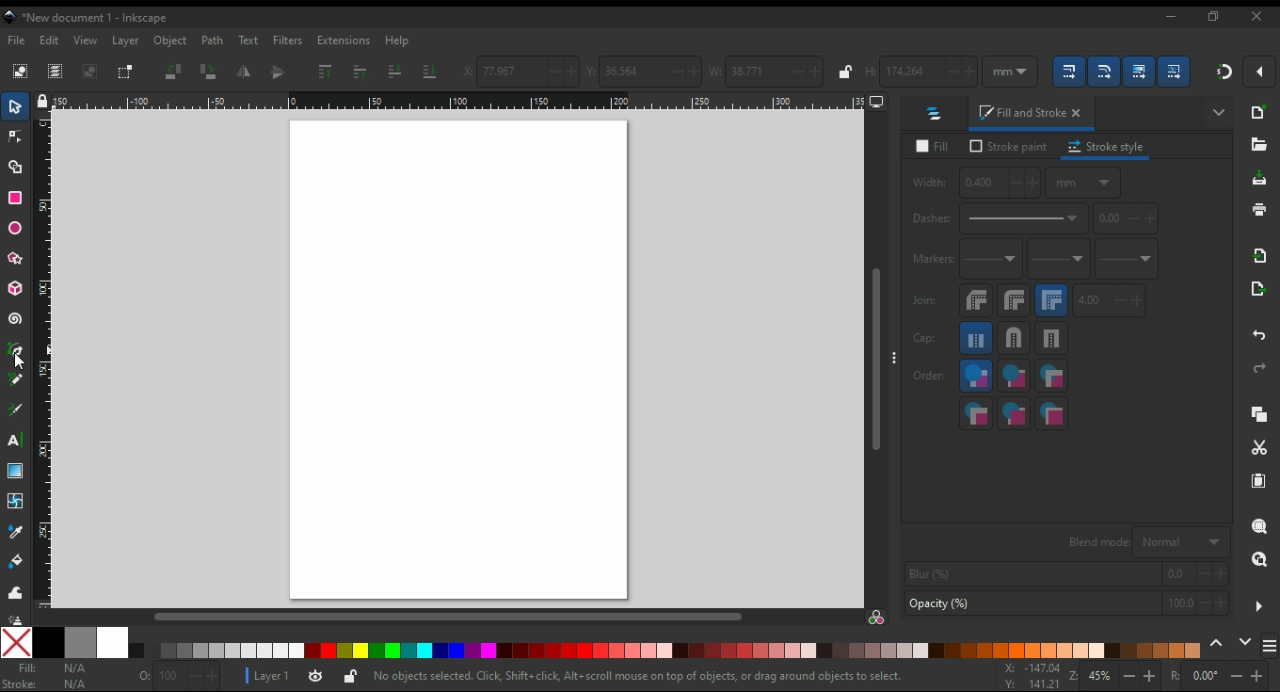 This screenshot has height=692, width=1280. I want to click on print, so click(1260, 209).